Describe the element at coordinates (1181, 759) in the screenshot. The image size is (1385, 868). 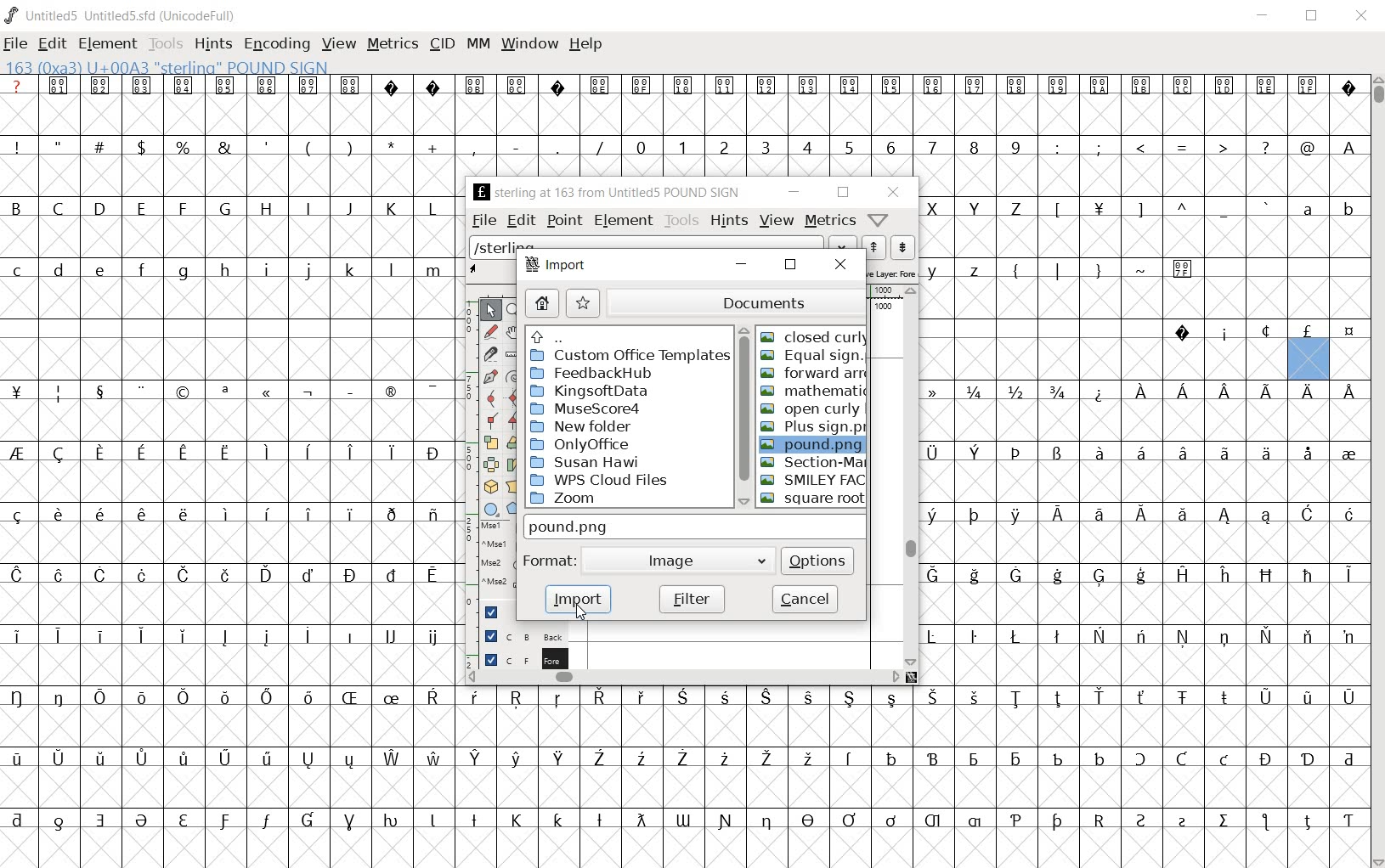
I see `Symbol` at that location.